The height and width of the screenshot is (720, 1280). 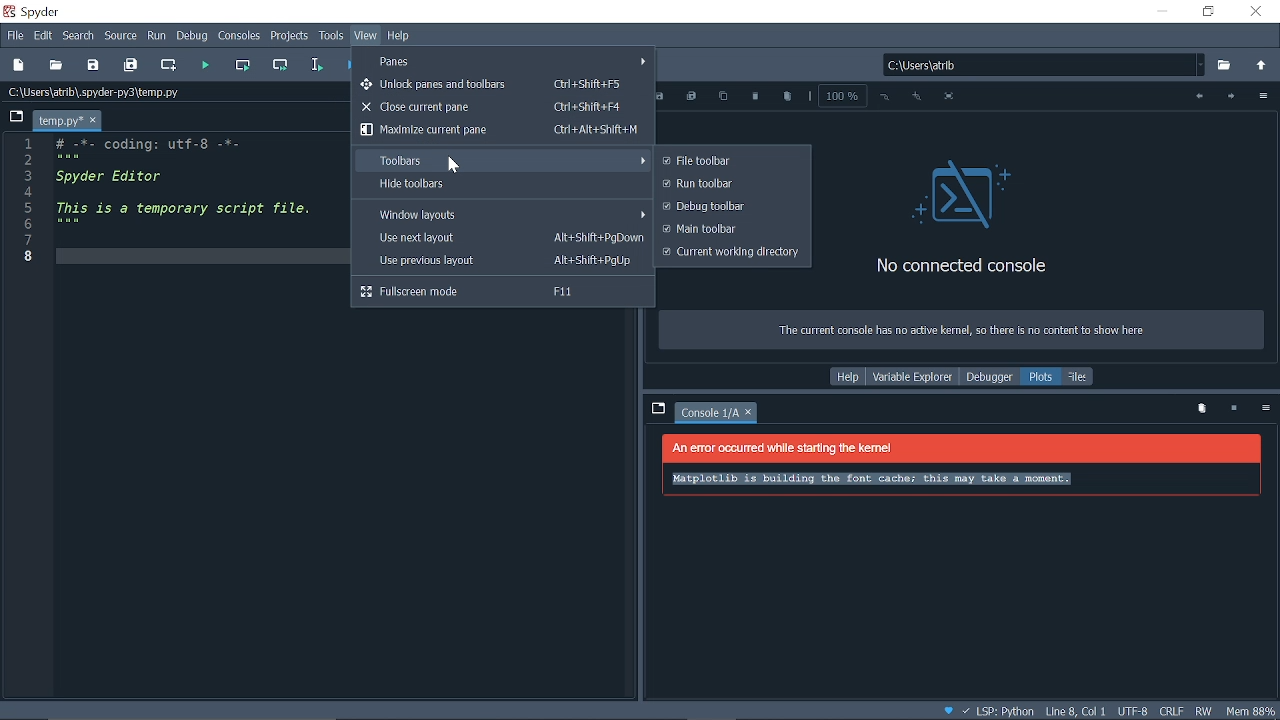 What do you see at coordinates (501, 238) in the screenshot?
I see `Use next layout` at bounding box center [501, 238].